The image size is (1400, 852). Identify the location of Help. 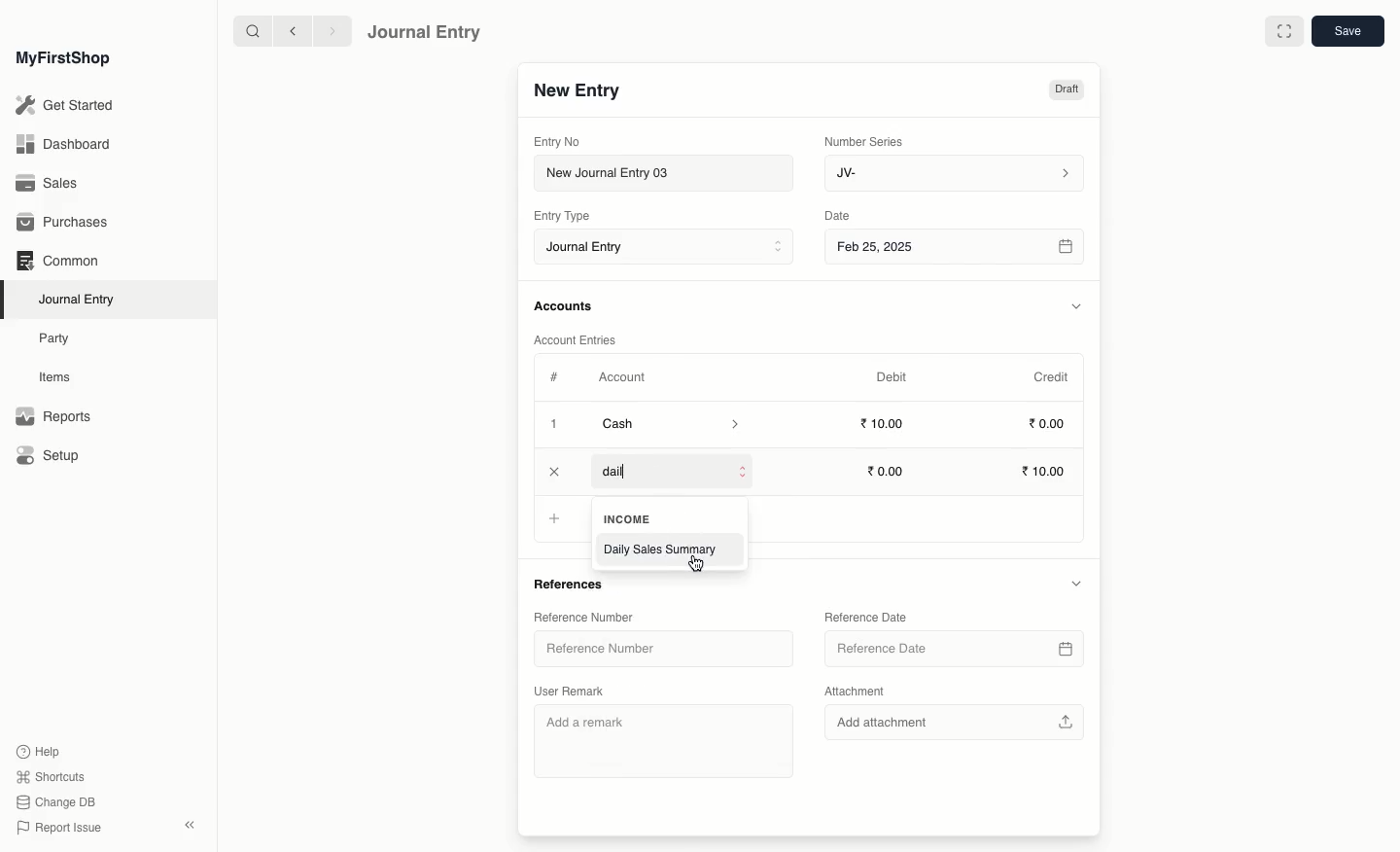
(36, 750).